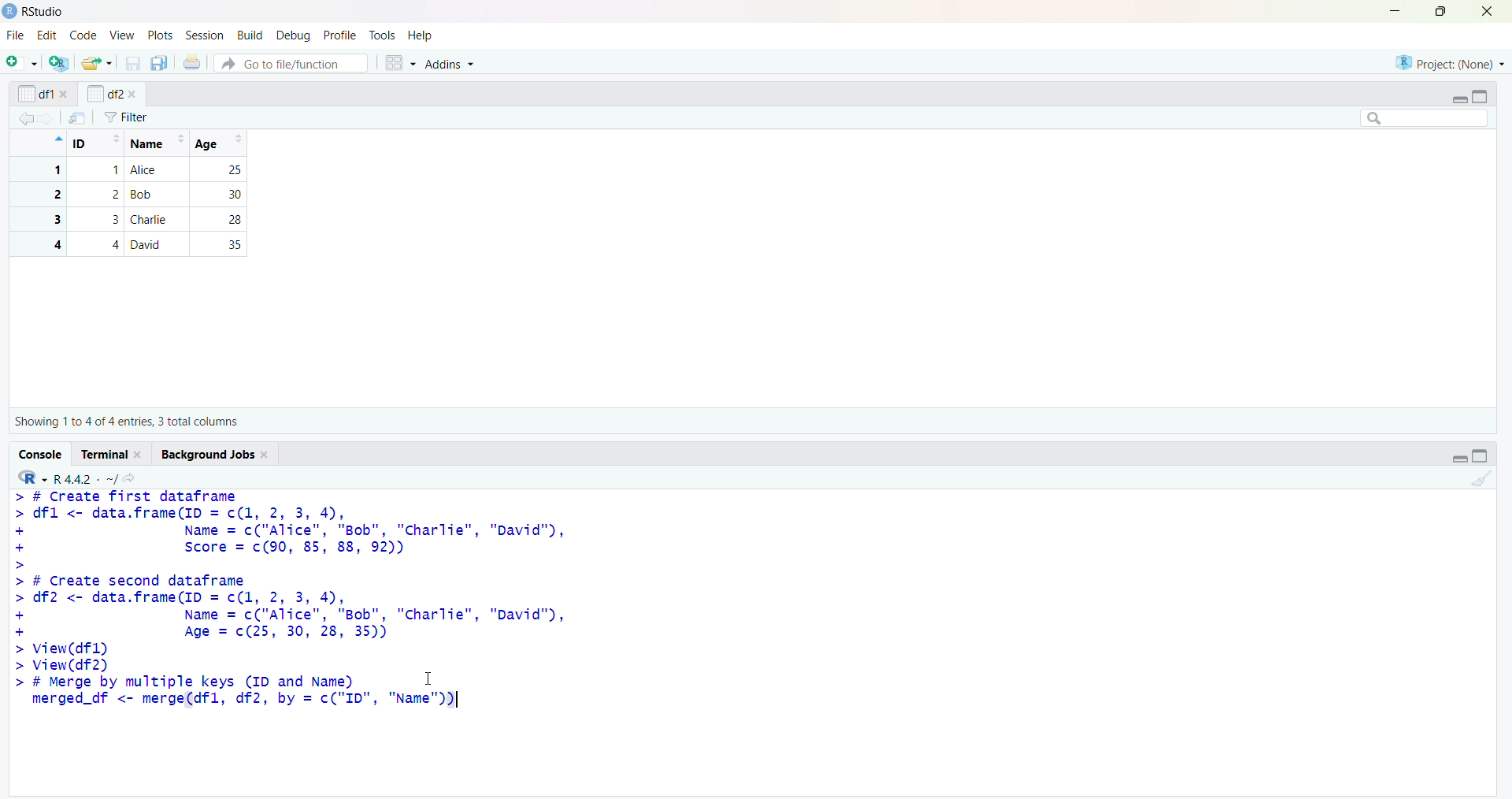  I want to click on 2 2 Bob 30, so click(135, 195).